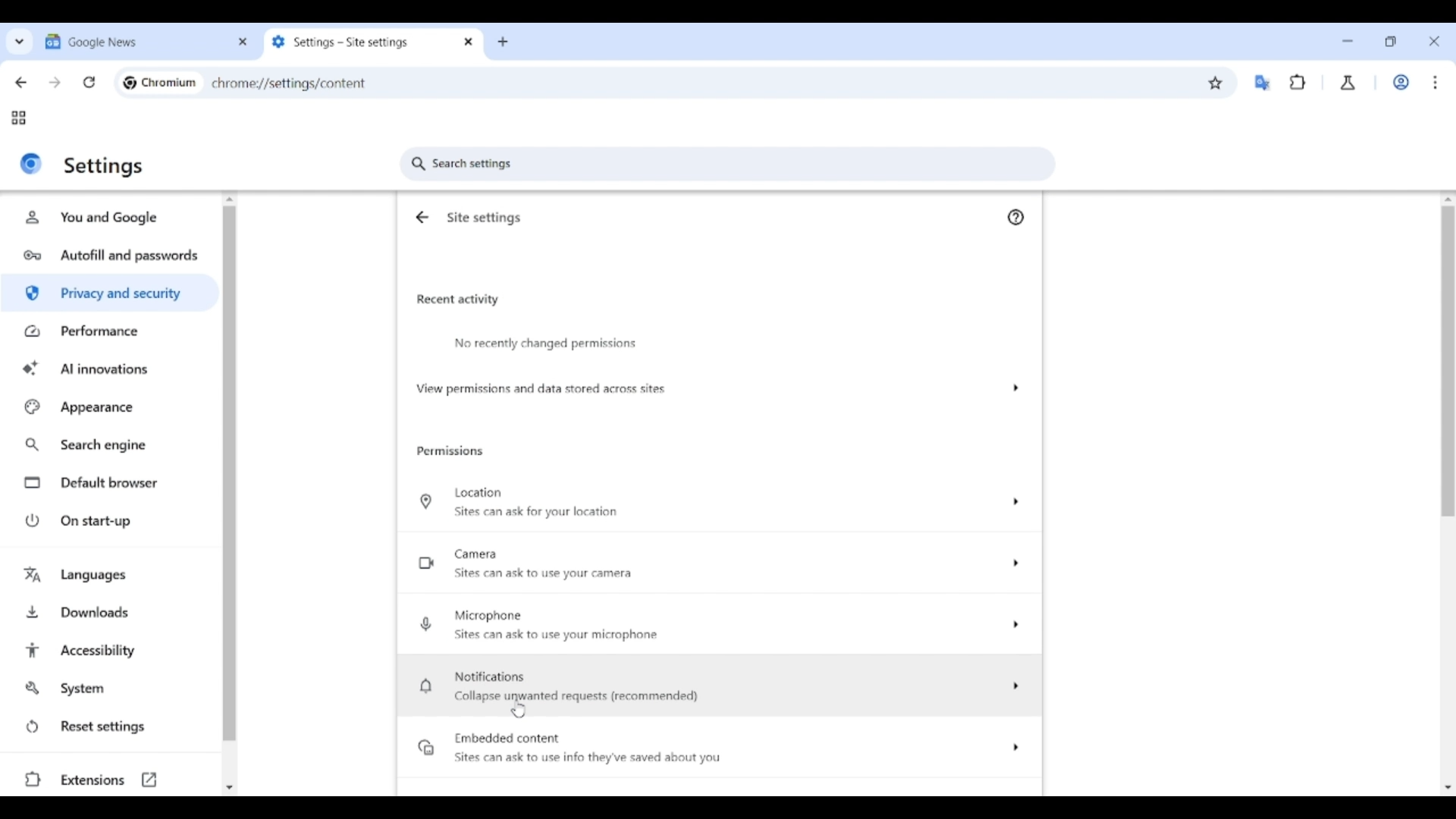  I want to click on Google Chrome help, so click(1015, 218).